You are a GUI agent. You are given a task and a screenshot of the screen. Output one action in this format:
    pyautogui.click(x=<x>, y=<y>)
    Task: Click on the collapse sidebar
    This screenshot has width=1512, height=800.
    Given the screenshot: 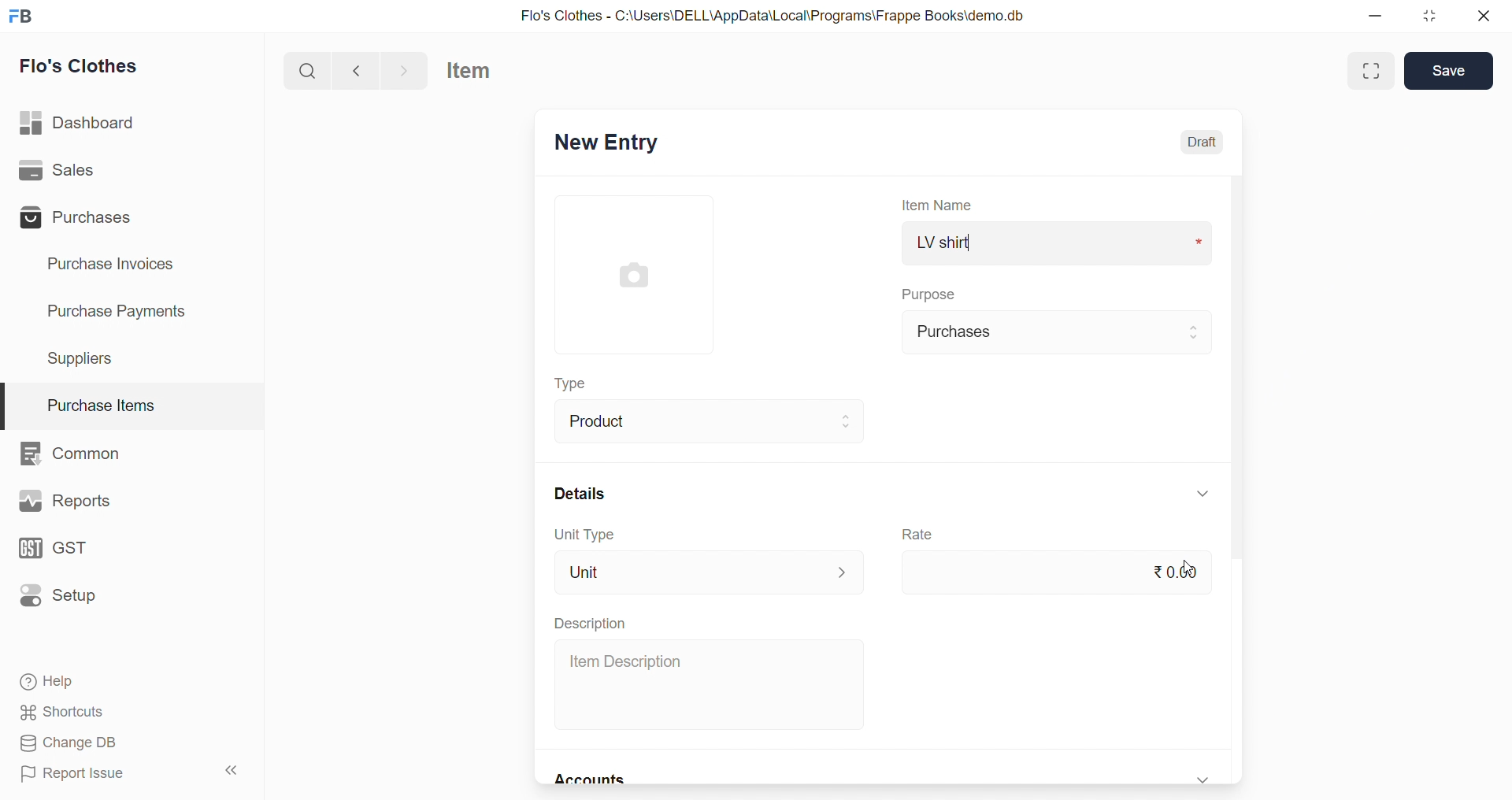 What is the action you would take?
    pyautogui.click(x=238, y=772)
    